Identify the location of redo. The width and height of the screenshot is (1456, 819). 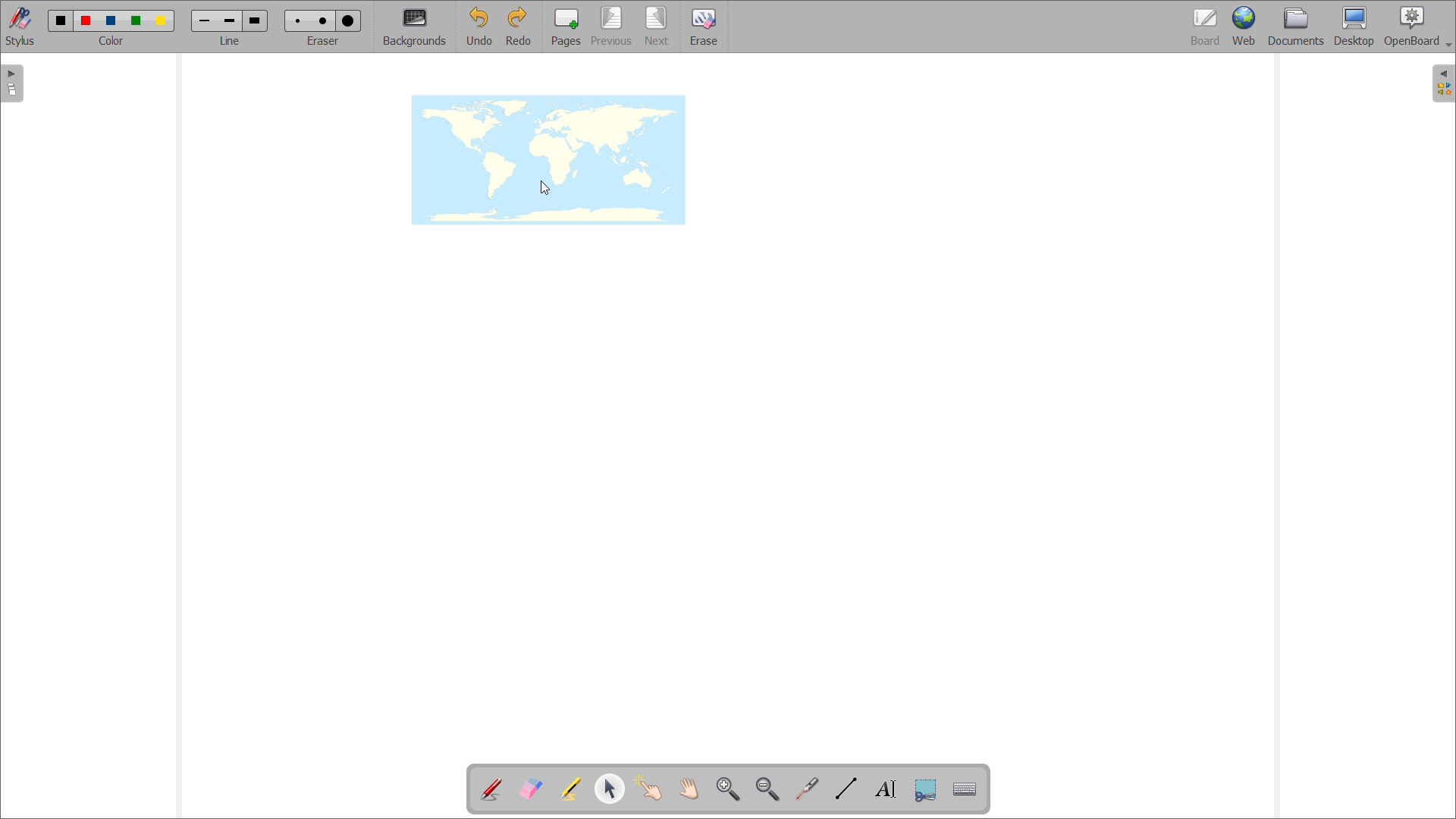
(518, 26).